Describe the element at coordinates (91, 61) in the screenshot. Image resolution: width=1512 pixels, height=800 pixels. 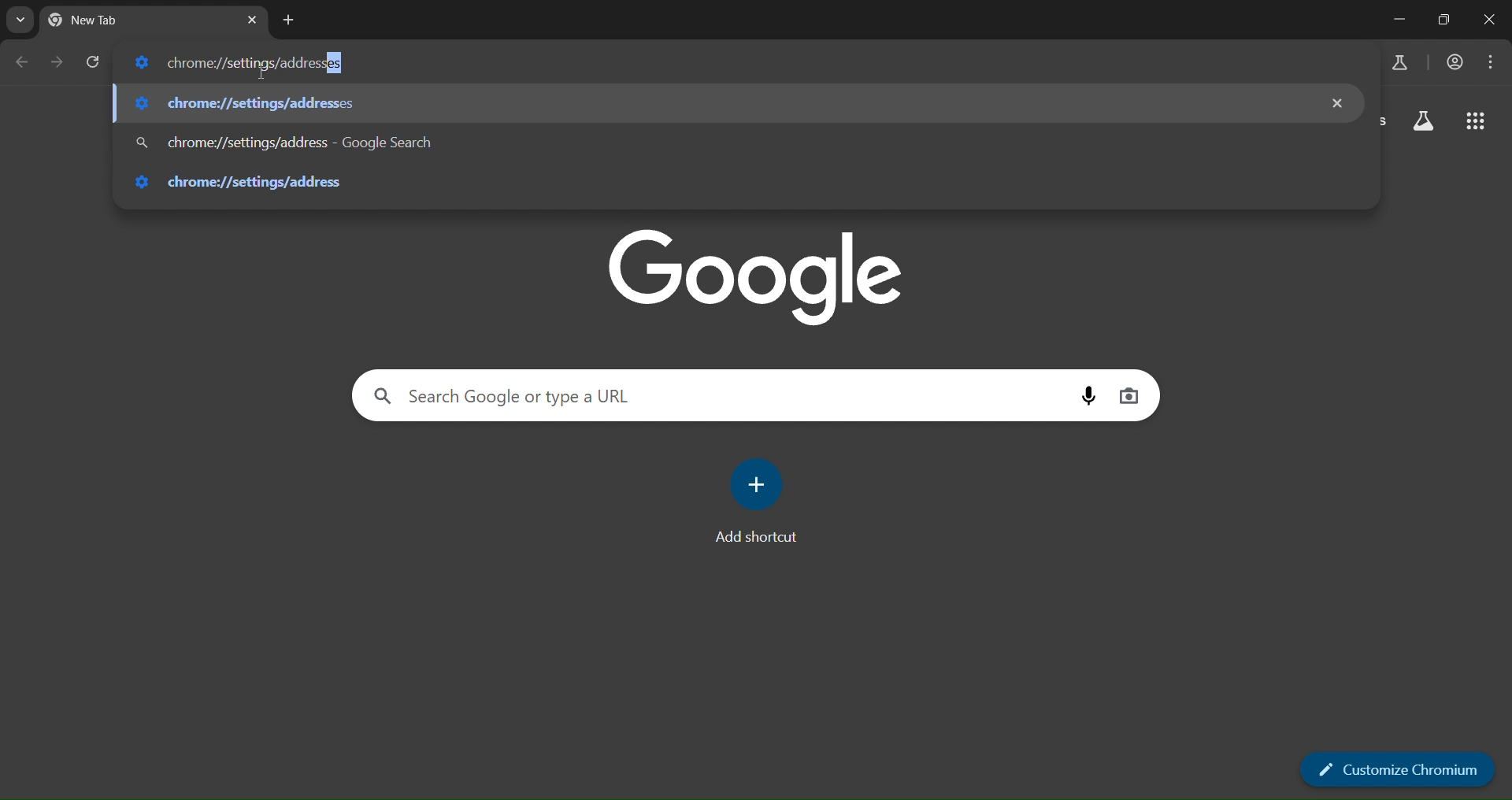
I see `reload` at that location.